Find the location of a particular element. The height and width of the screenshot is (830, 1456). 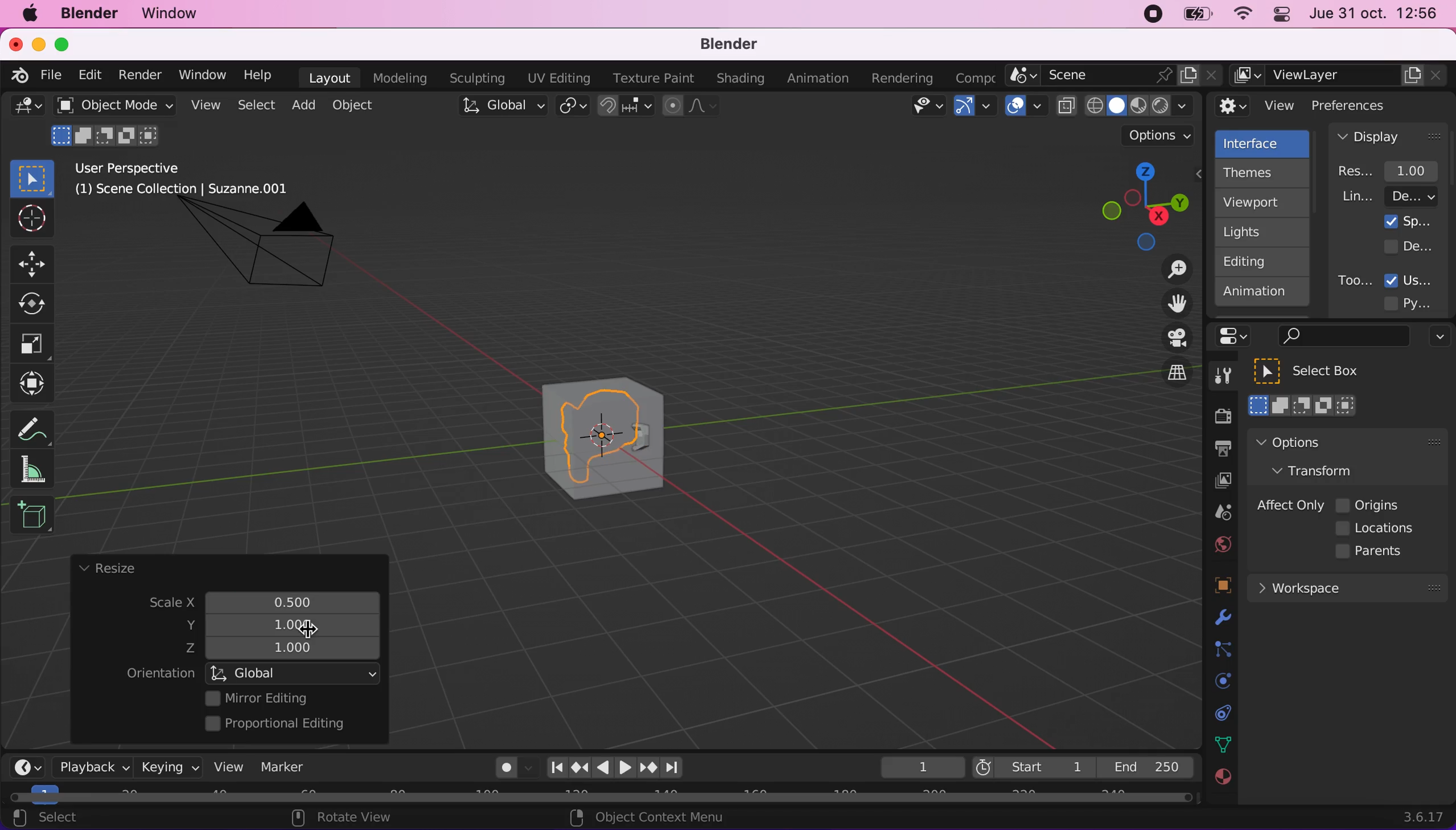

global is located at coordinates (500, 108).